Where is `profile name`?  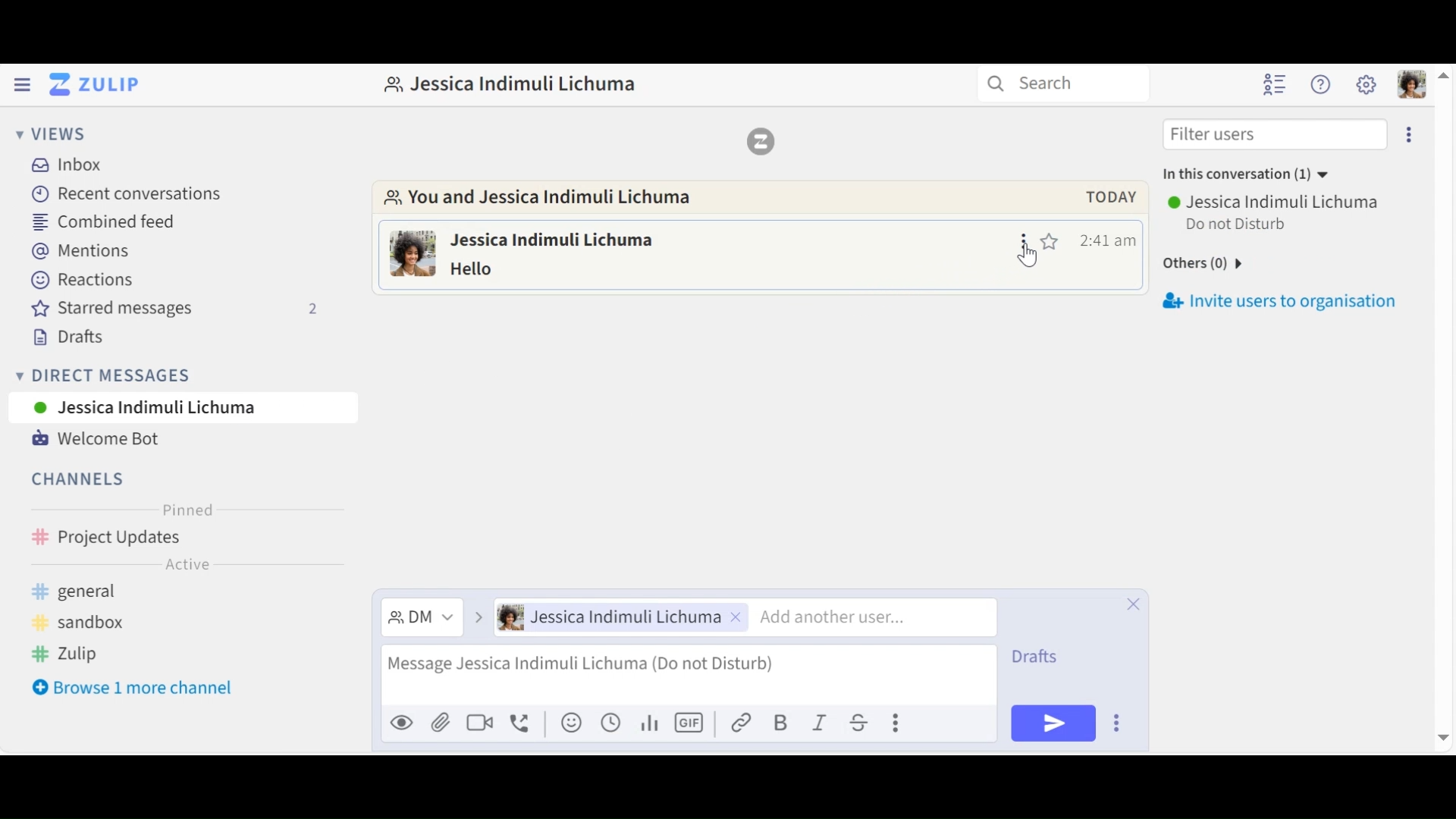 profile name is located at coordinates (510, 83).